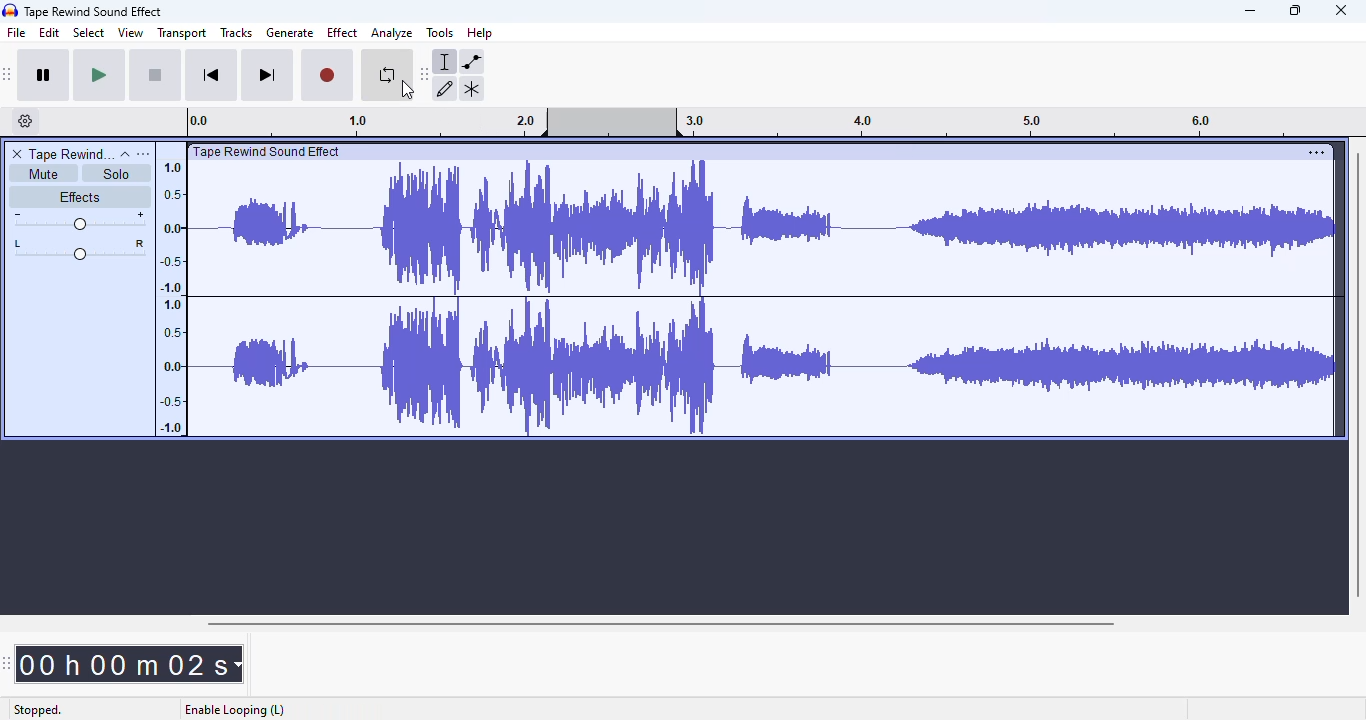  What do you see at coordinates (1022, 119) in the screenshot?
I see `3.0 4.0 5.0 6.0` at bounding box center [1022, 119].